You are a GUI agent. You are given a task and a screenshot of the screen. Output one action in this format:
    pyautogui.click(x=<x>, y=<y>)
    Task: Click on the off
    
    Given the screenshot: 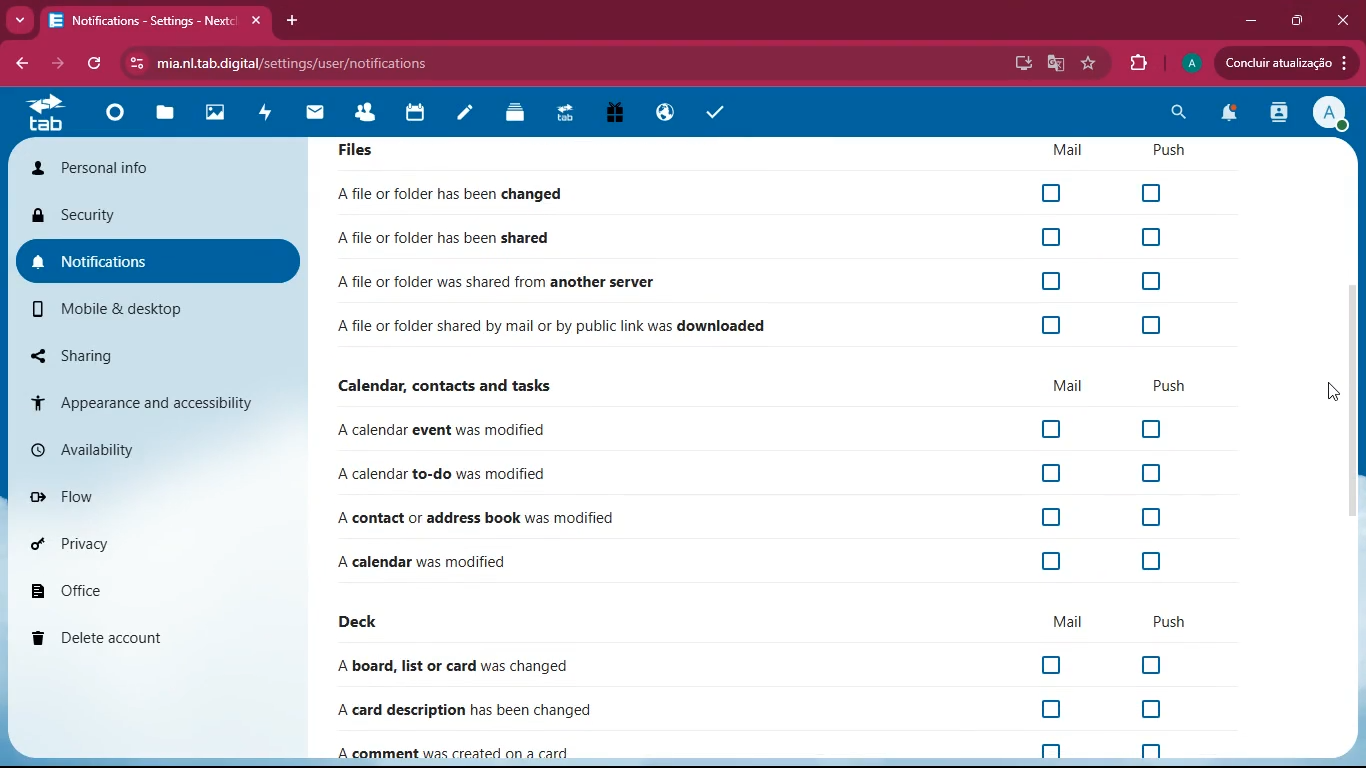 What is the action you would take?
    pyautogui.click(x=1046, y=710)
    